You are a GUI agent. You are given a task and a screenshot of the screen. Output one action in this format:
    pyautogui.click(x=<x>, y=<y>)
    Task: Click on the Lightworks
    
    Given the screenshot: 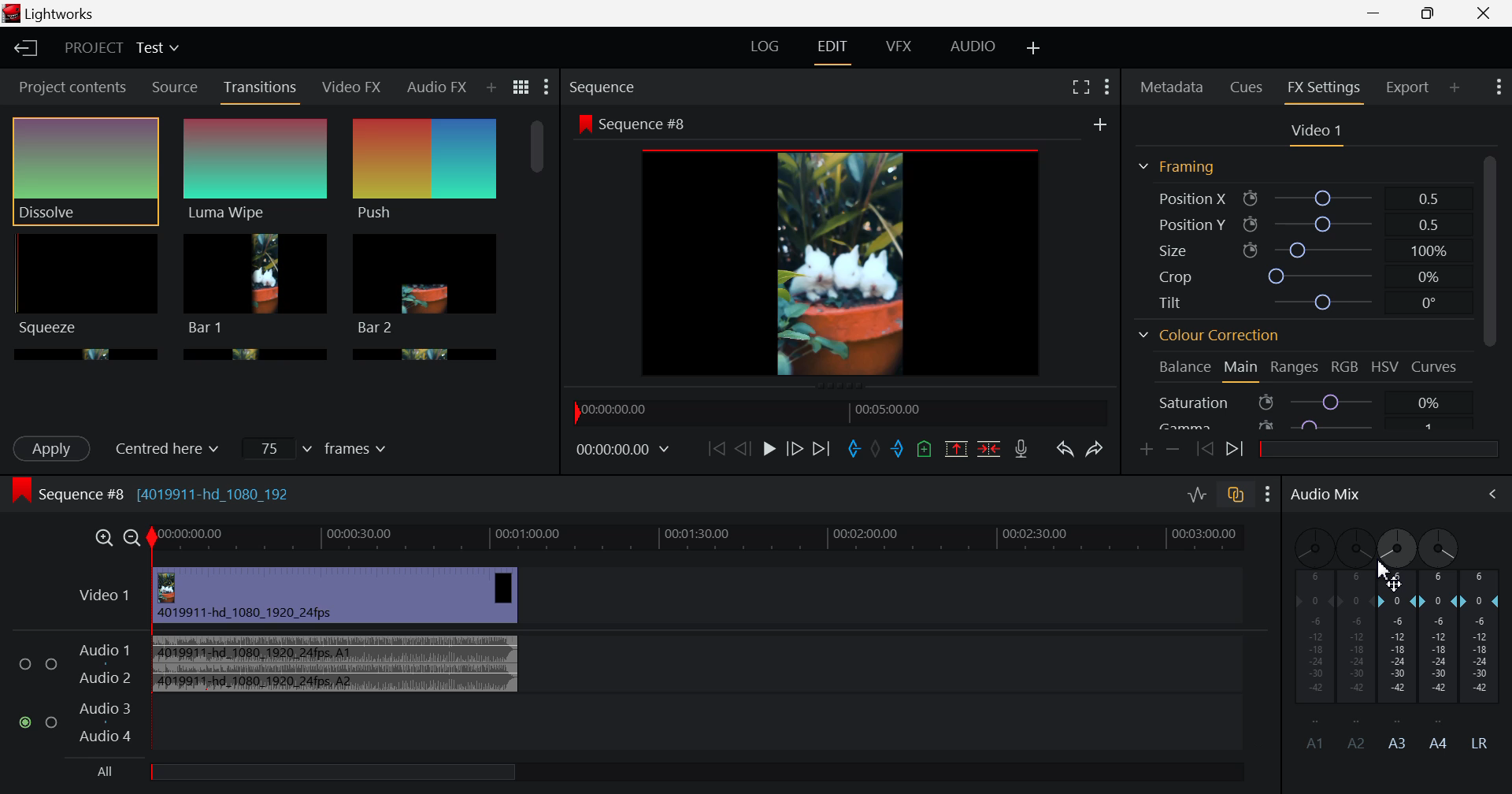 What is the action you would take?
    pyautogui.click(x=76, y=13)
    